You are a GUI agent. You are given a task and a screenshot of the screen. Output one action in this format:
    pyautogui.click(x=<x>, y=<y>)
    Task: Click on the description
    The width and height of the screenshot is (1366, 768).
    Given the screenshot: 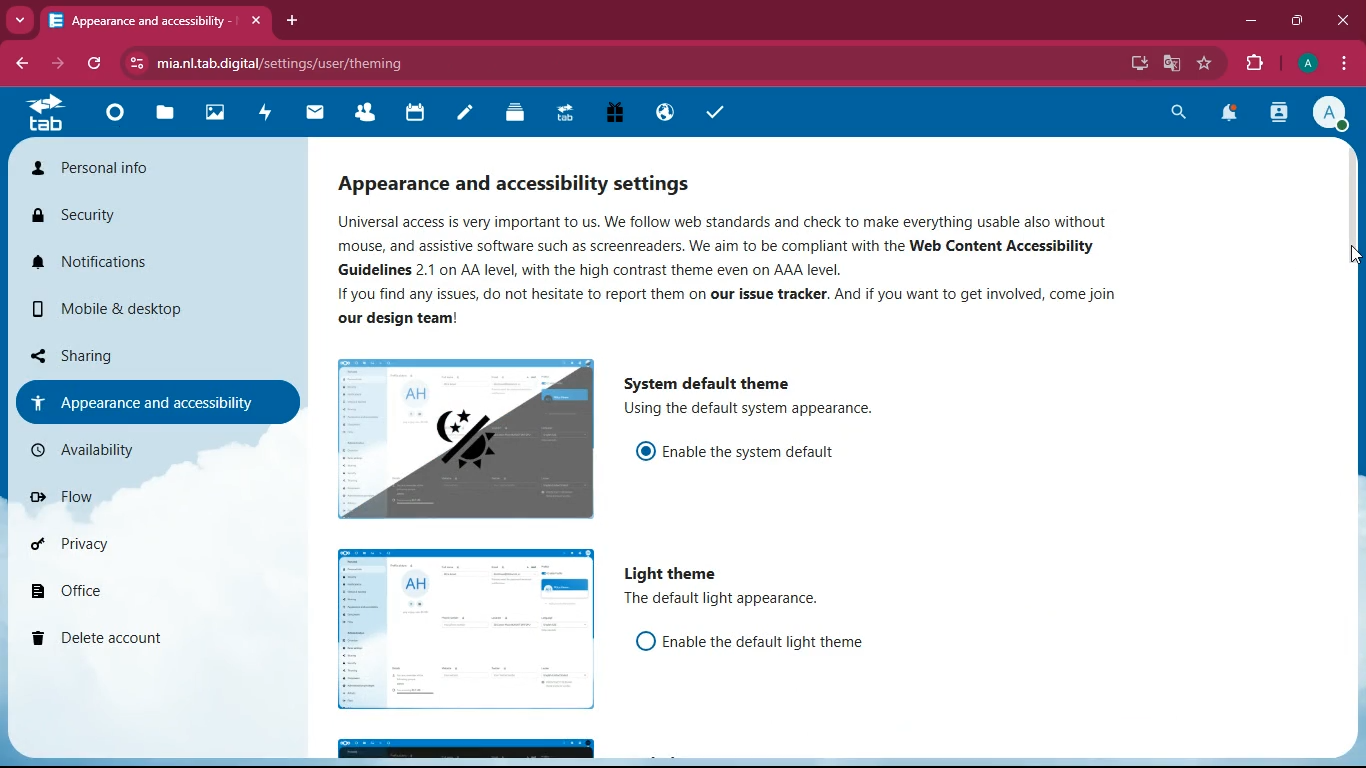 What is the action you would take?
    pyautogui.click(x=725, y=600)
    